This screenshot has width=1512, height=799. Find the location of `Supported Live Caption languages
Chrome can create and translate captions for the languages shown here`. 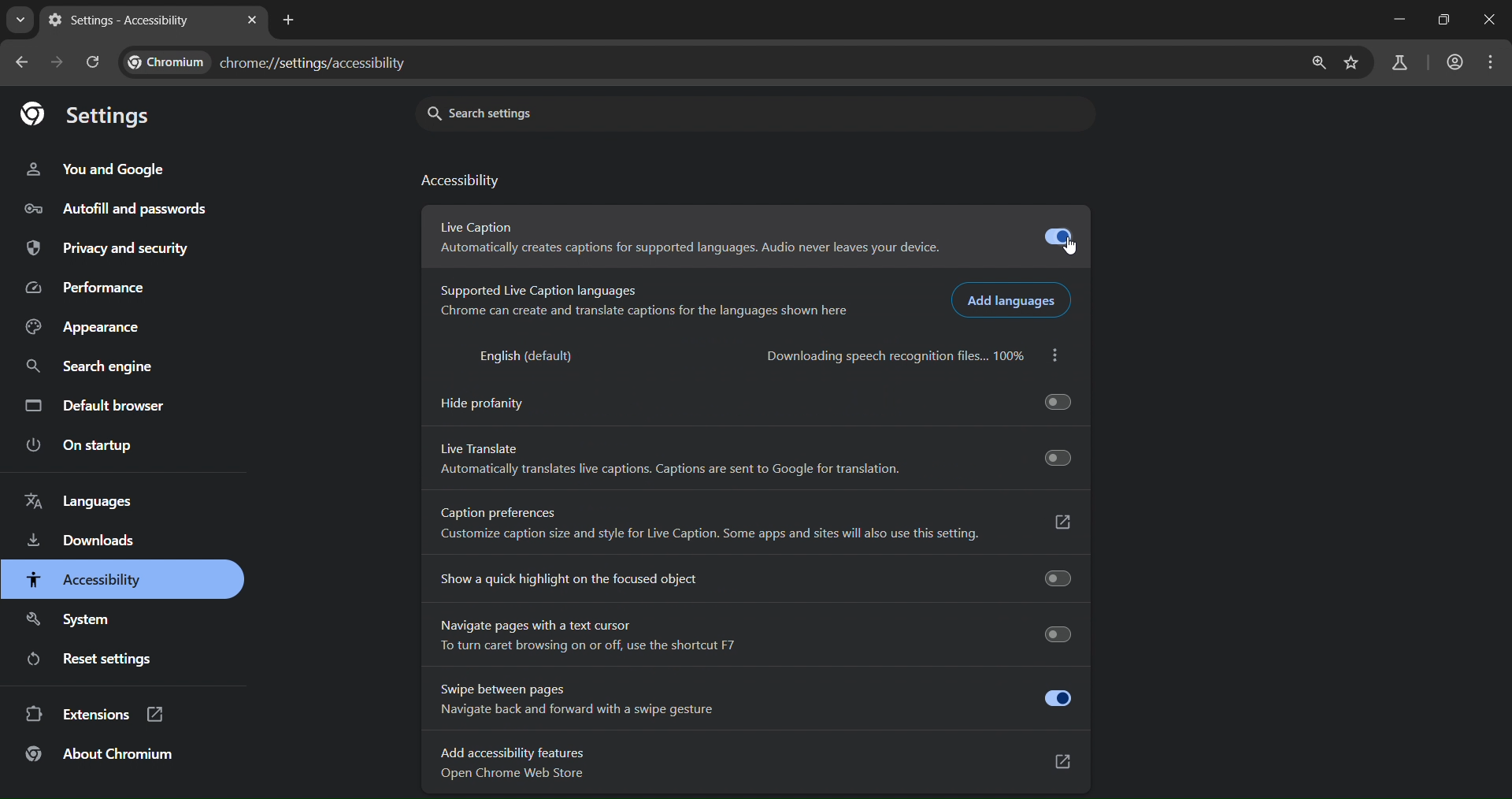

Supported Live Caption languages
Chrome can create and translate captions for the languages shown here is located at coordinates (642, 301).